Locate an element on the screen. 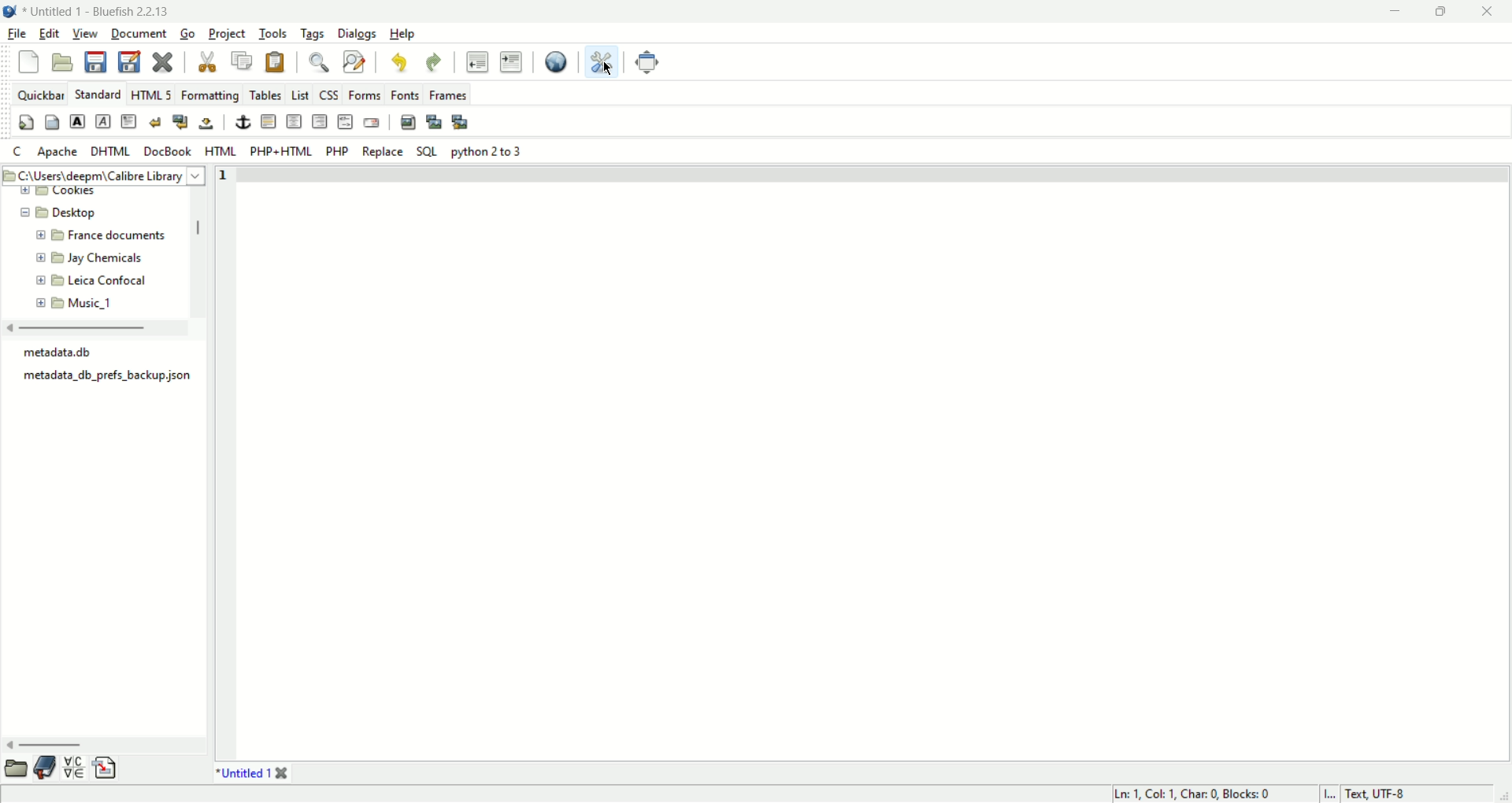 This screenshot has width=1512, height=803. PHP is located at coordinates (339, 151).